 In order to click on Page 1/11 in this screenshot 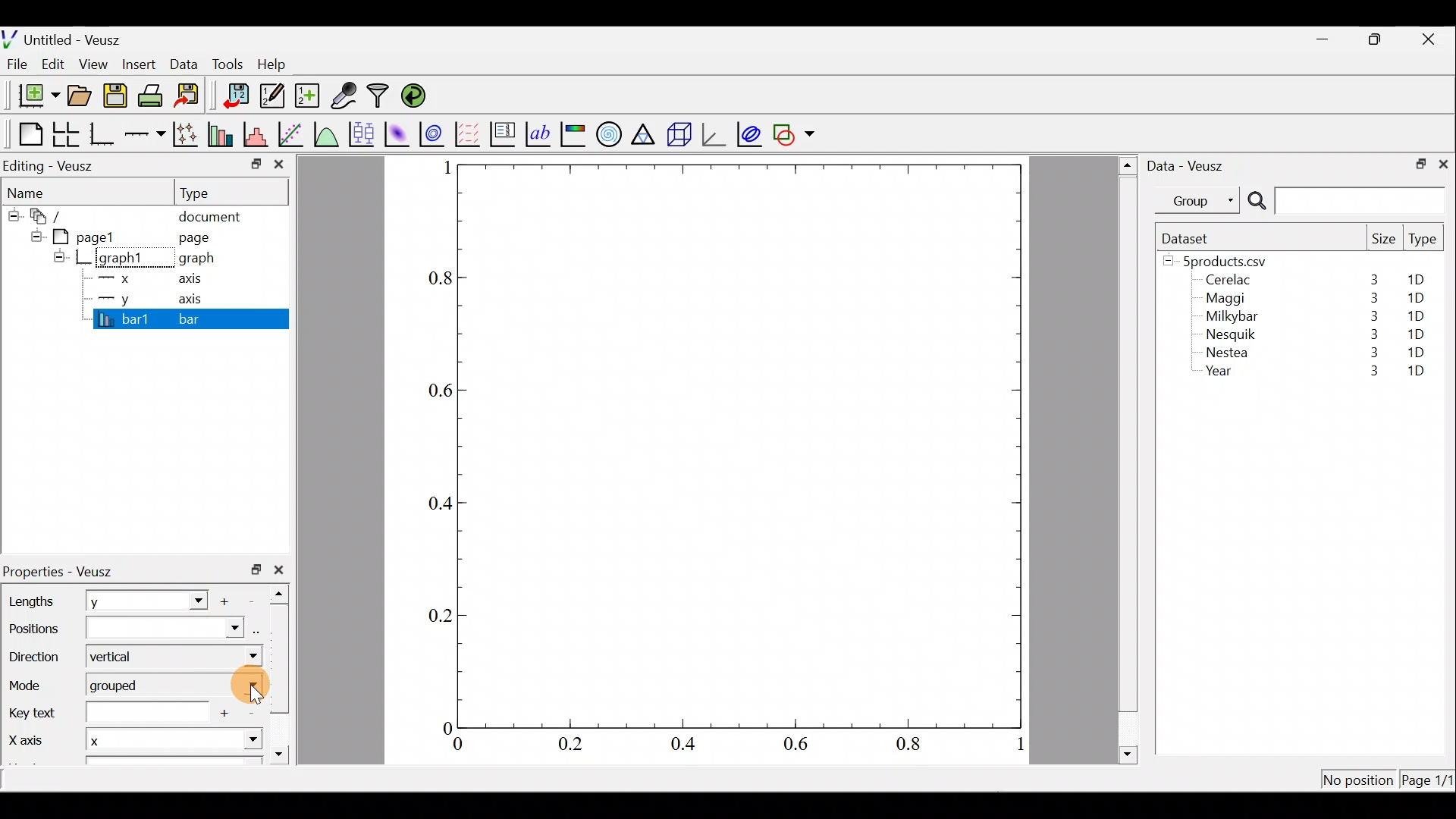, I will do `click(1429, 783)`.